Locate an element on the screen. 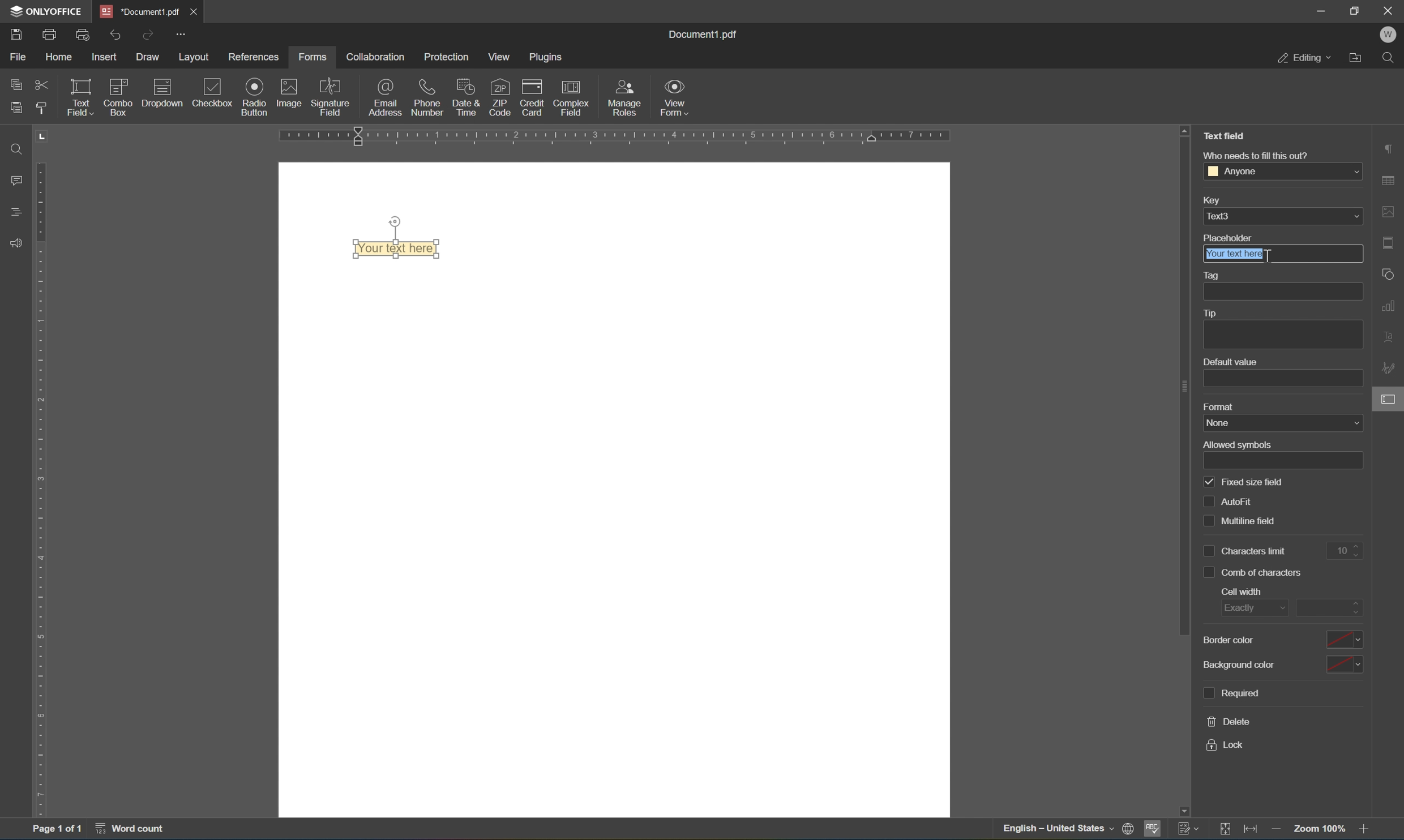  allowed symbols is located at coordinates (1235, 444).